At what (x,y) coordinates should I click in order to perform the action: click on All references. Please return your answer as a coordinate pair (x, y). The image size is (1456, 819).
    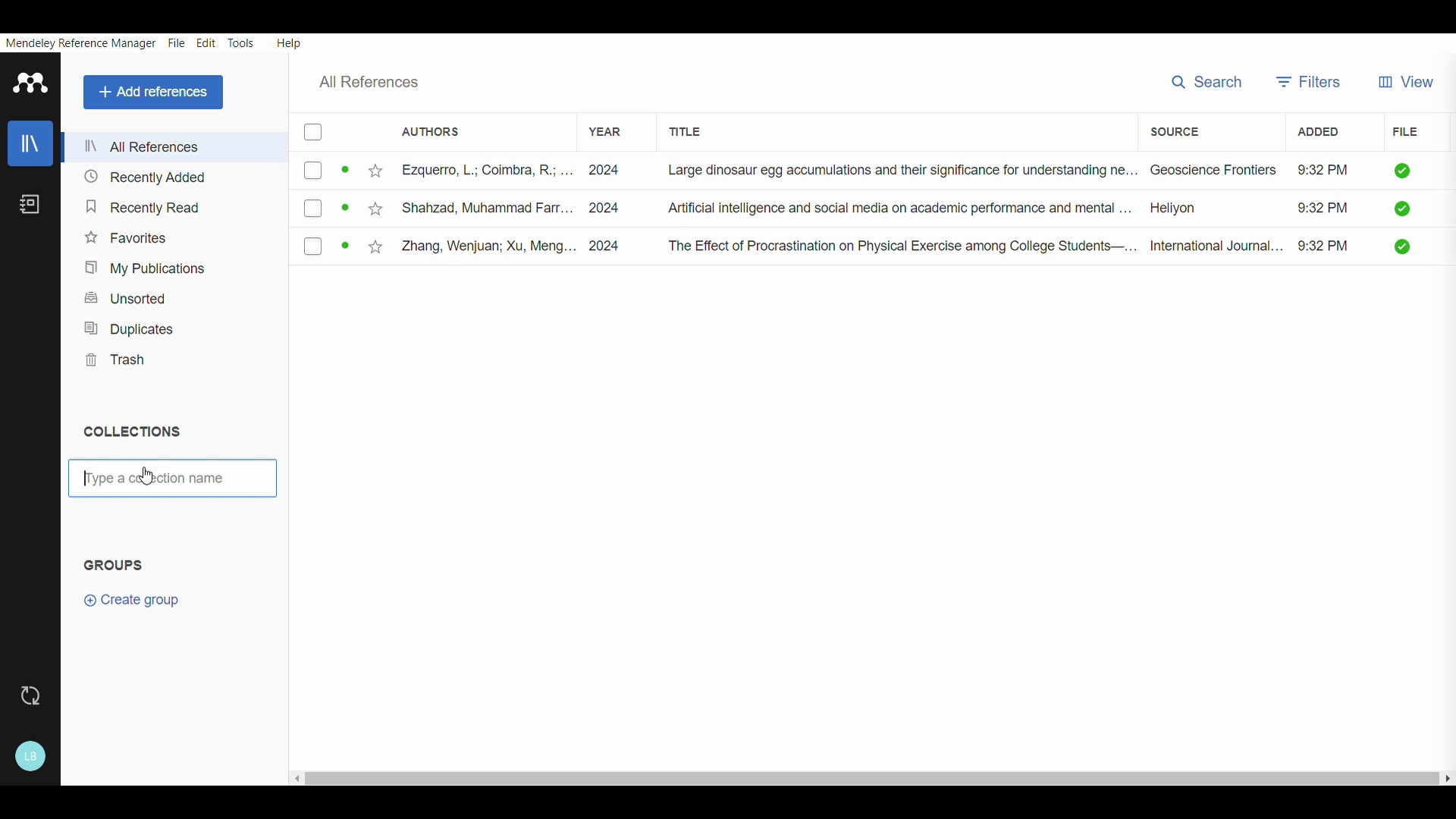
    Looking at the image, I should click on (380, 81).